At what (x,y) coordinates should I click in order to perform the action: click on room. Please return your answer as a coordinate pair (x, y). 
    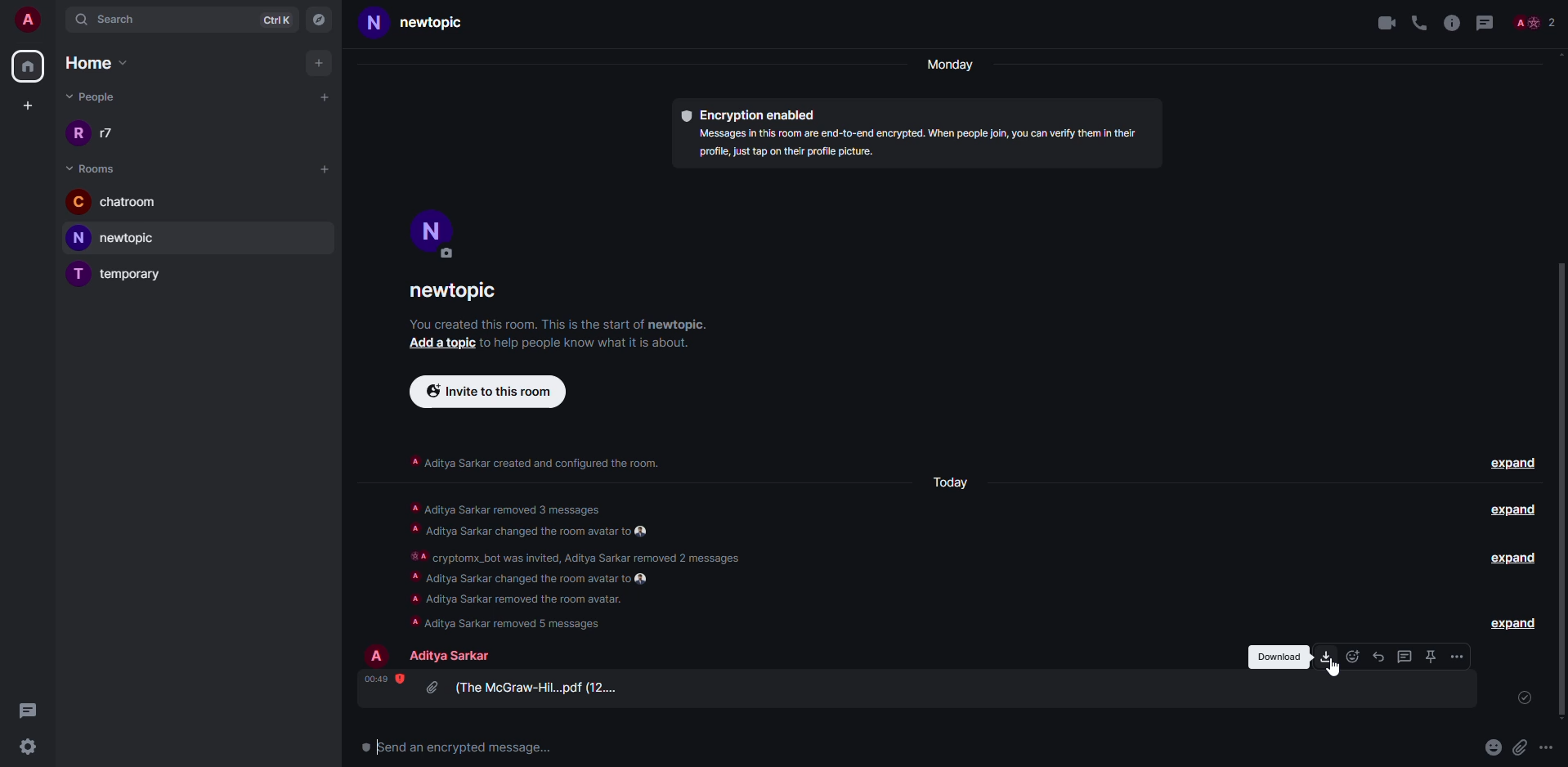
    Looking at the image, I should click on (96, 169).